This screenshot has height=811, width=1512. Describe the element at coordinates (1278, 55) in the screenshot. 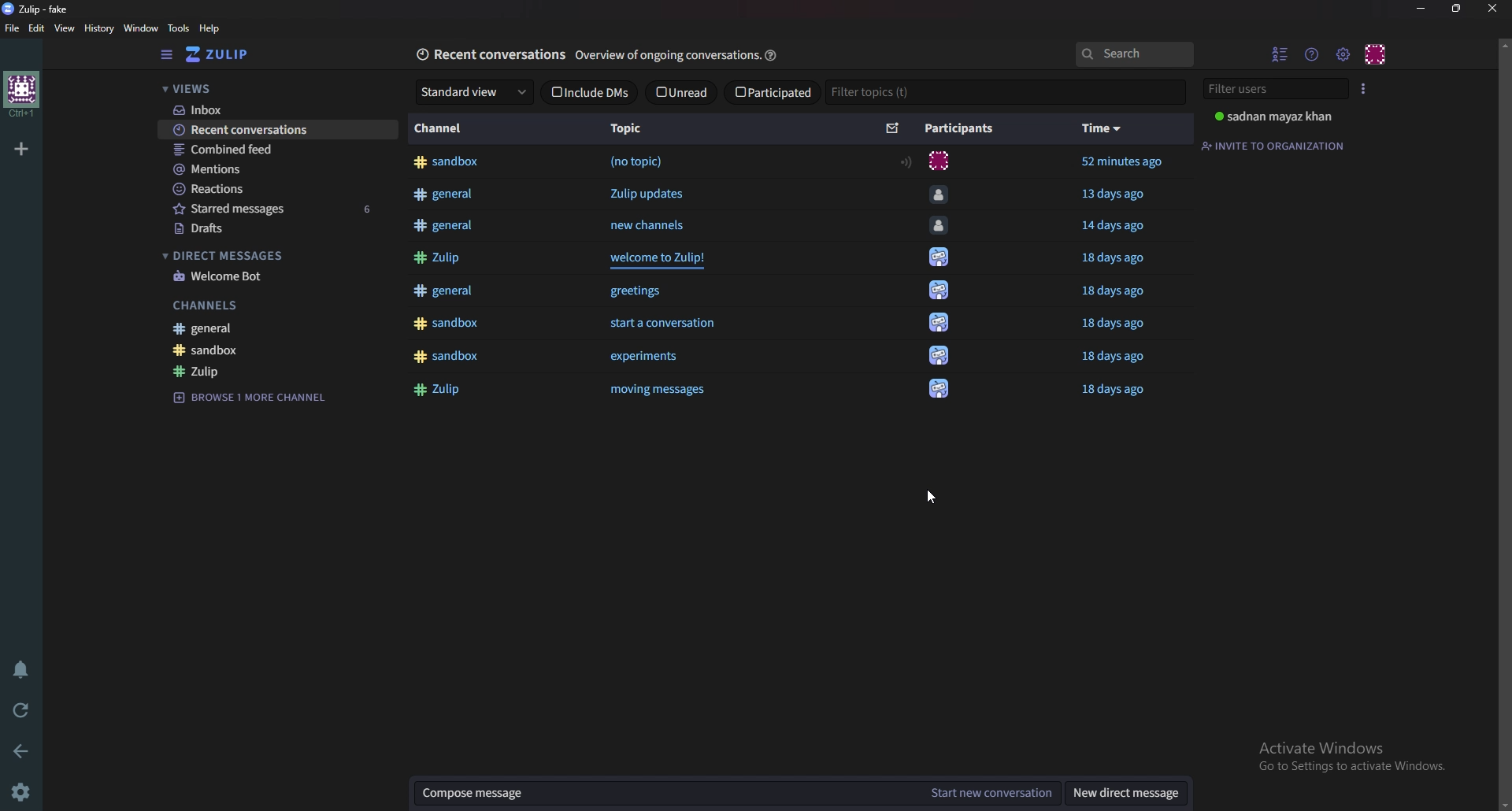

I see `Hide user list` at that location.